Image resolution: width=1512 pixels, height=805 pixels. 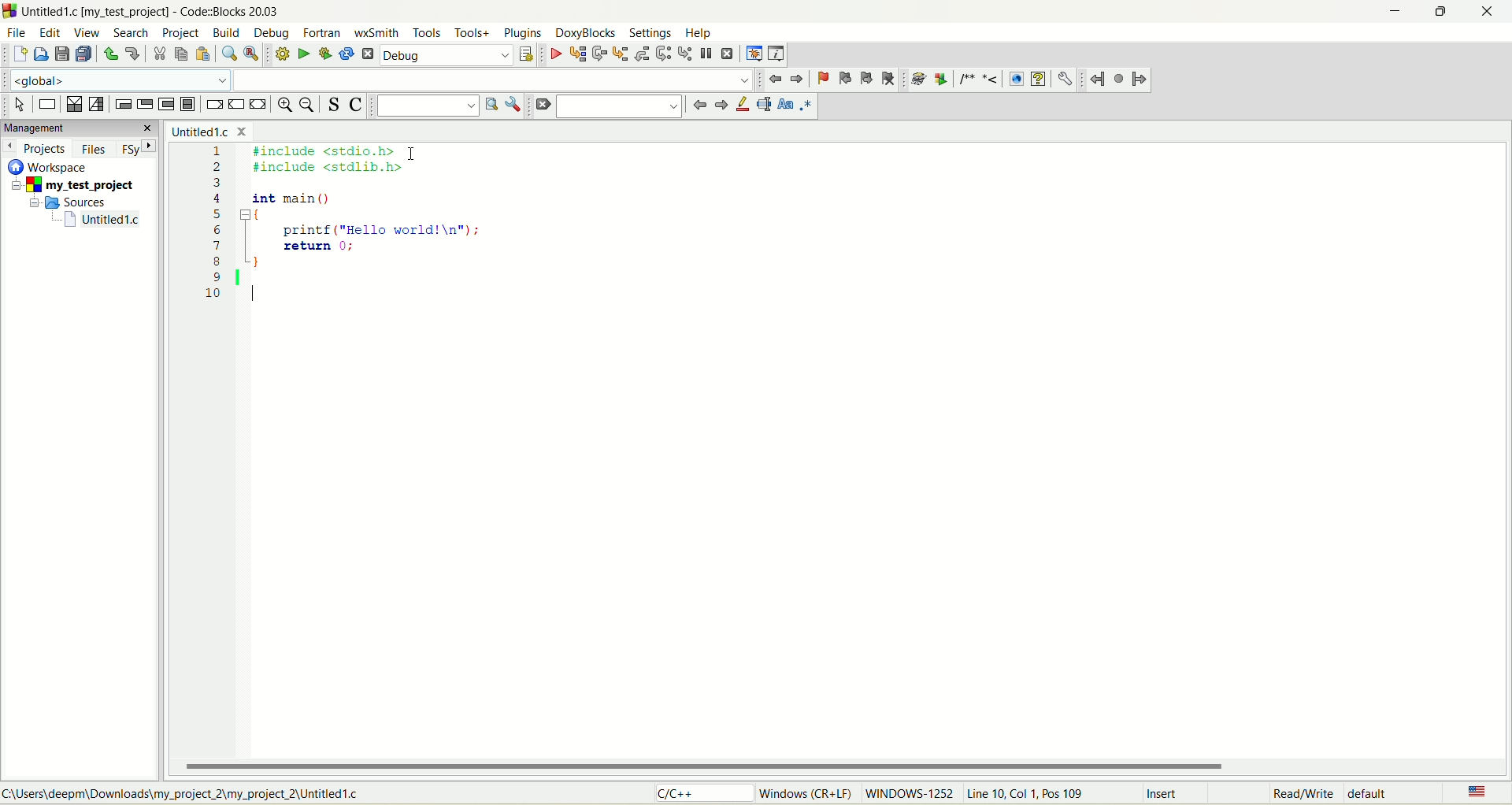 What do you see at coordinates (1492, 12) in the screenshot?
I see `close` at bounding box center [1492, 12].